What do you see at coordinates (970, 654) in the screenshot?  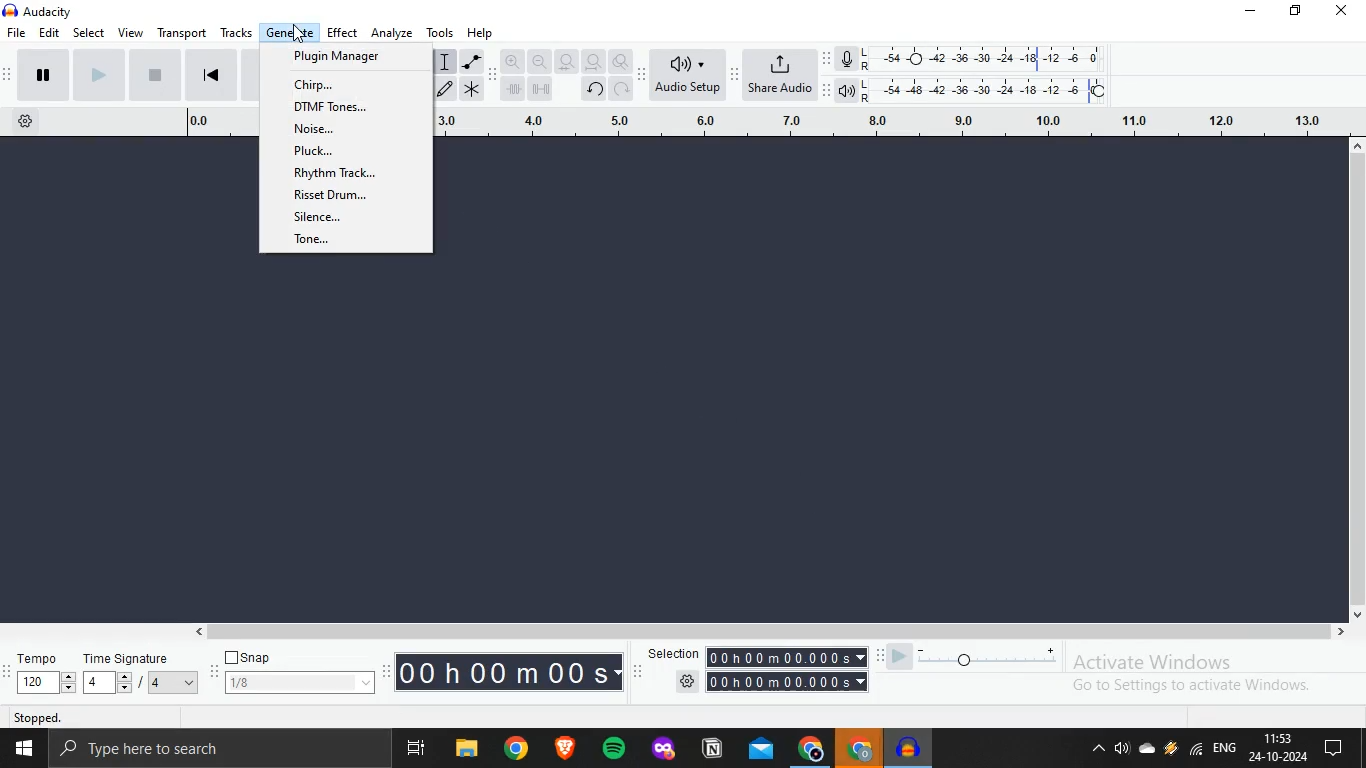 I see `Slider` at bounding box center [970, 654].